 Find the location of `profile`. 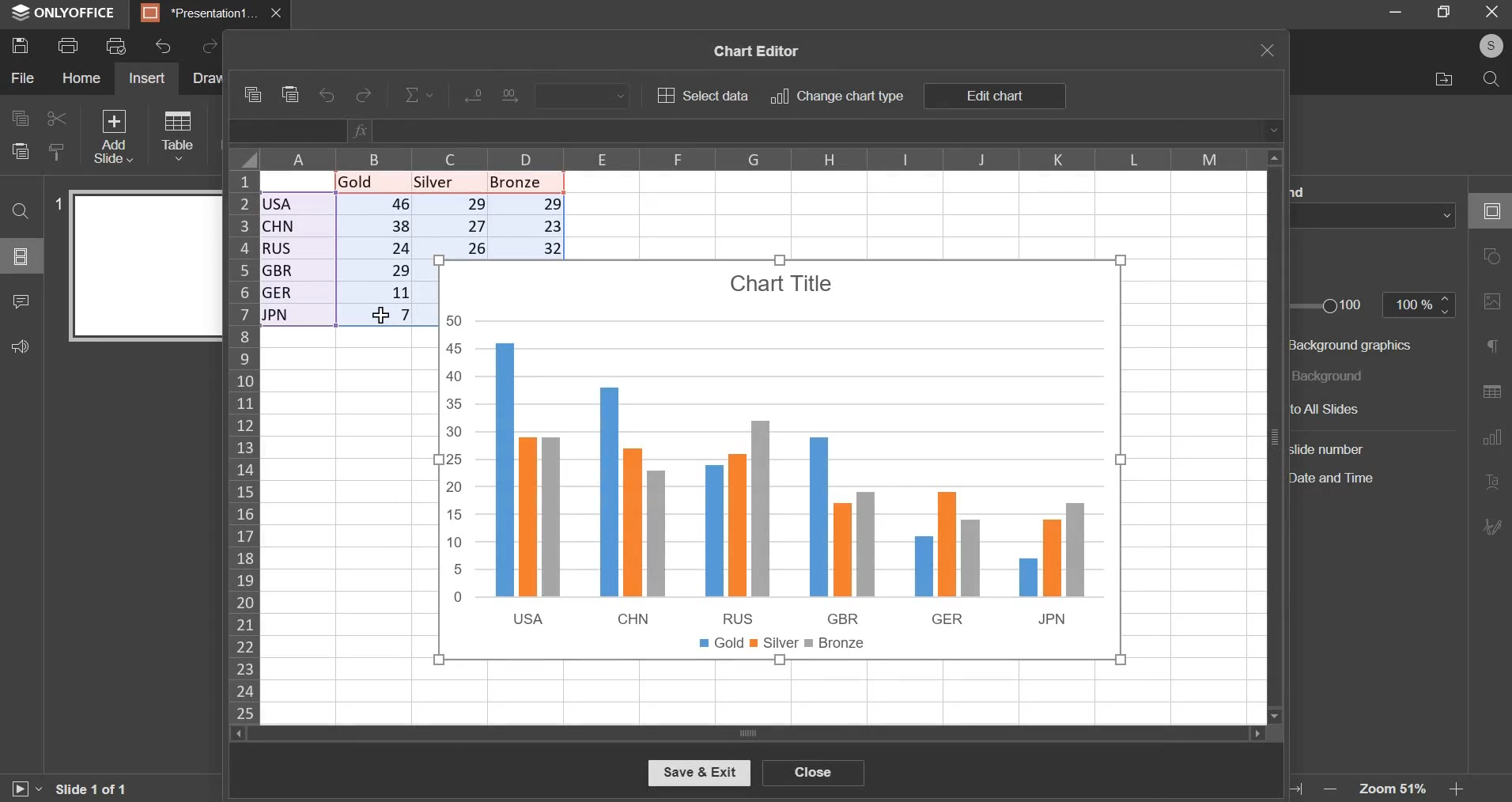

profile is located at coordinates (1490, 44).